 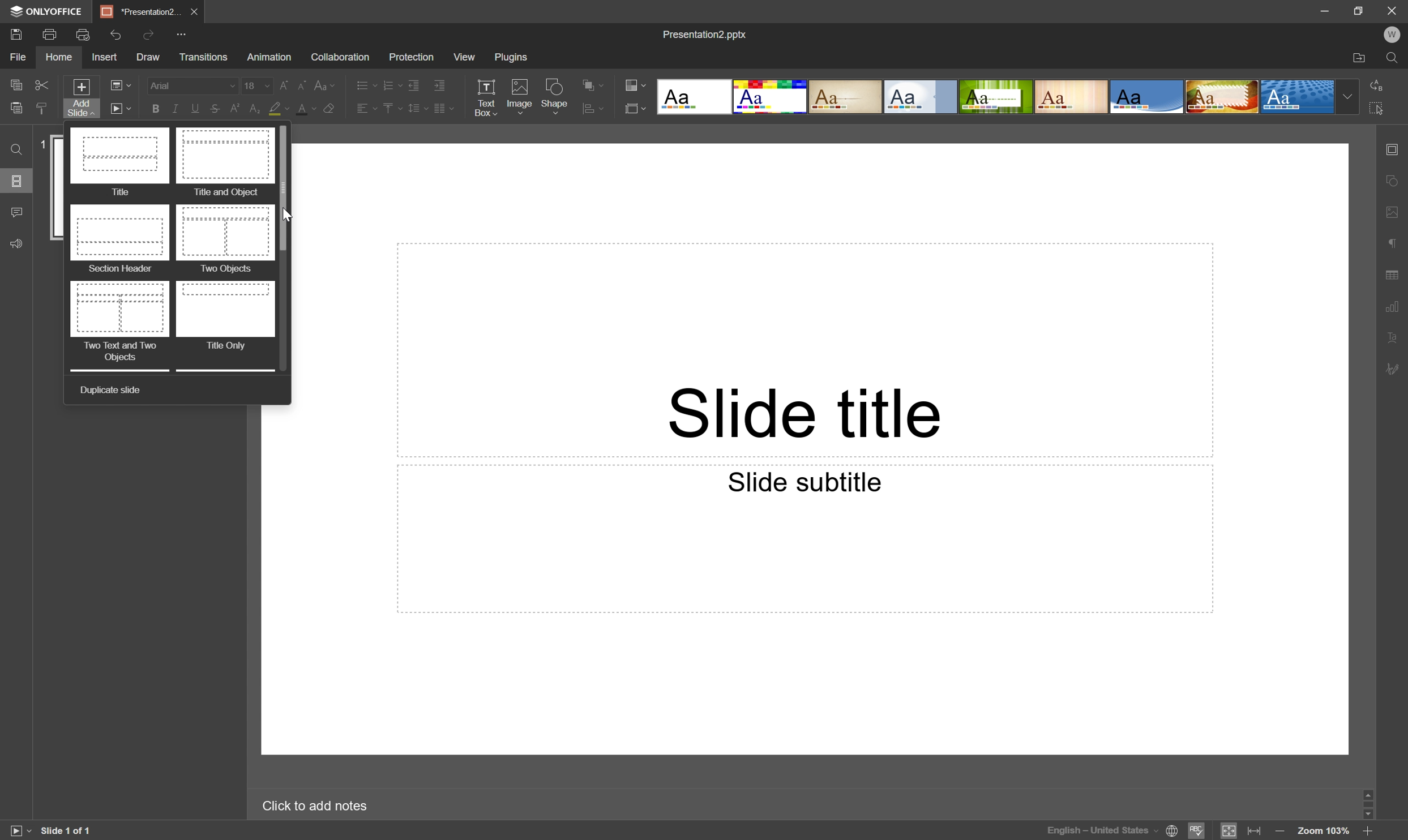 I want to click on Presentation2.pptx, so click(x=708, y=36).